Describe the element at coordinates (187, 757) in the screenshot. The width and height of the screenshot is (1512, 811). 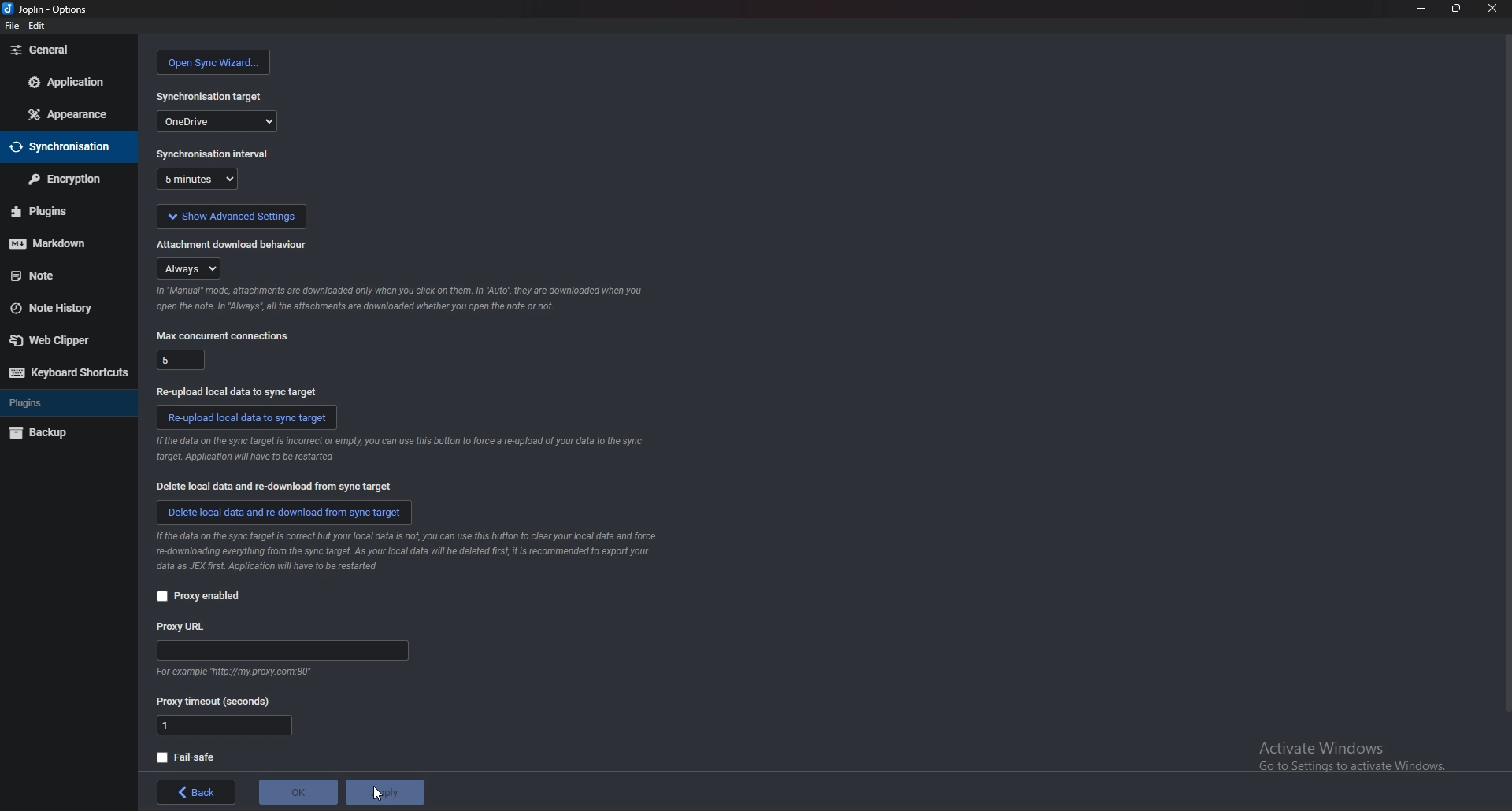
I see `fail safe` at that location.